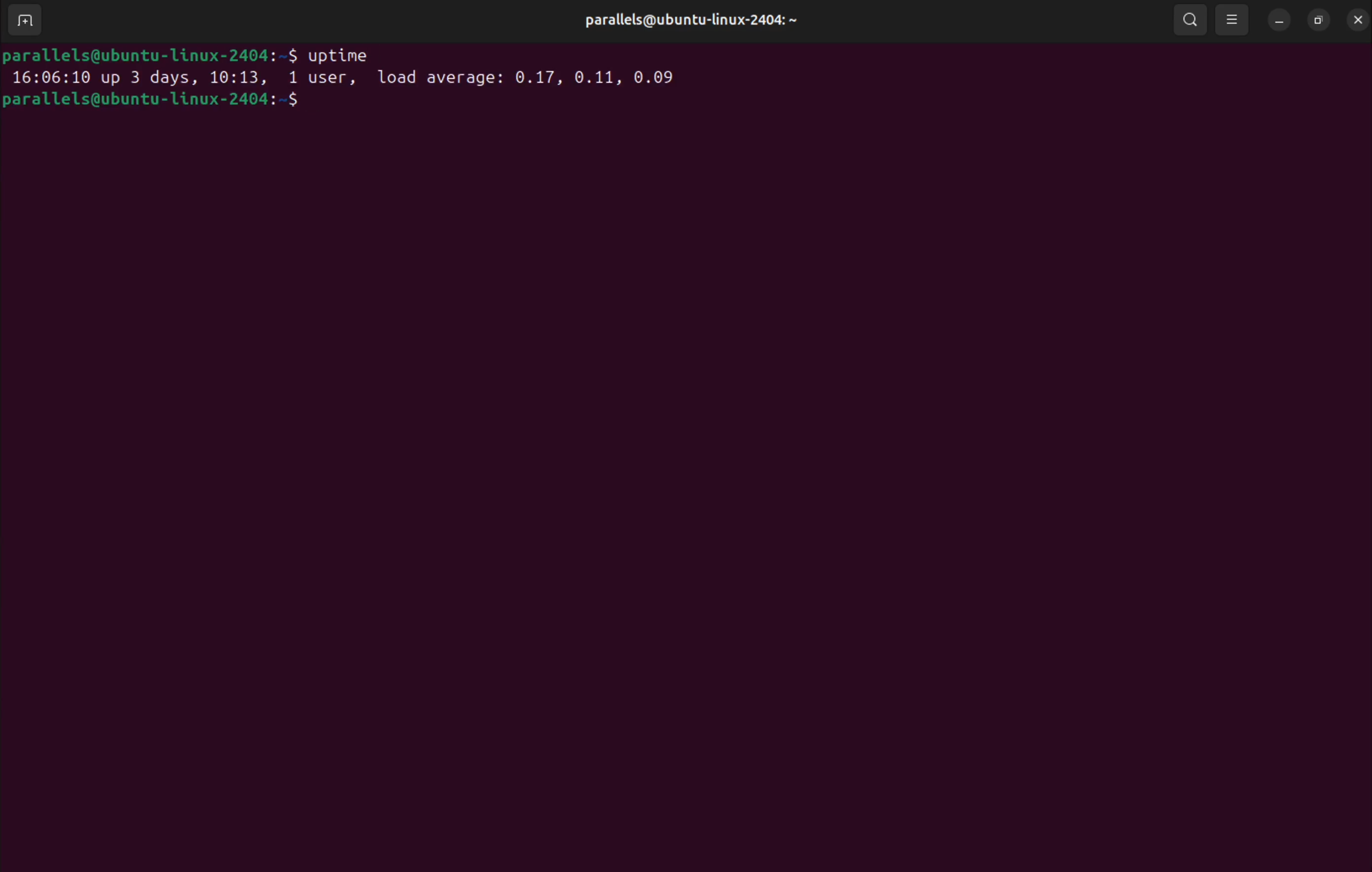 This screenshot has width=1372, height=872. Describe the element at coordinates (529, 78) in the screenshot. I see `load average` at that location.